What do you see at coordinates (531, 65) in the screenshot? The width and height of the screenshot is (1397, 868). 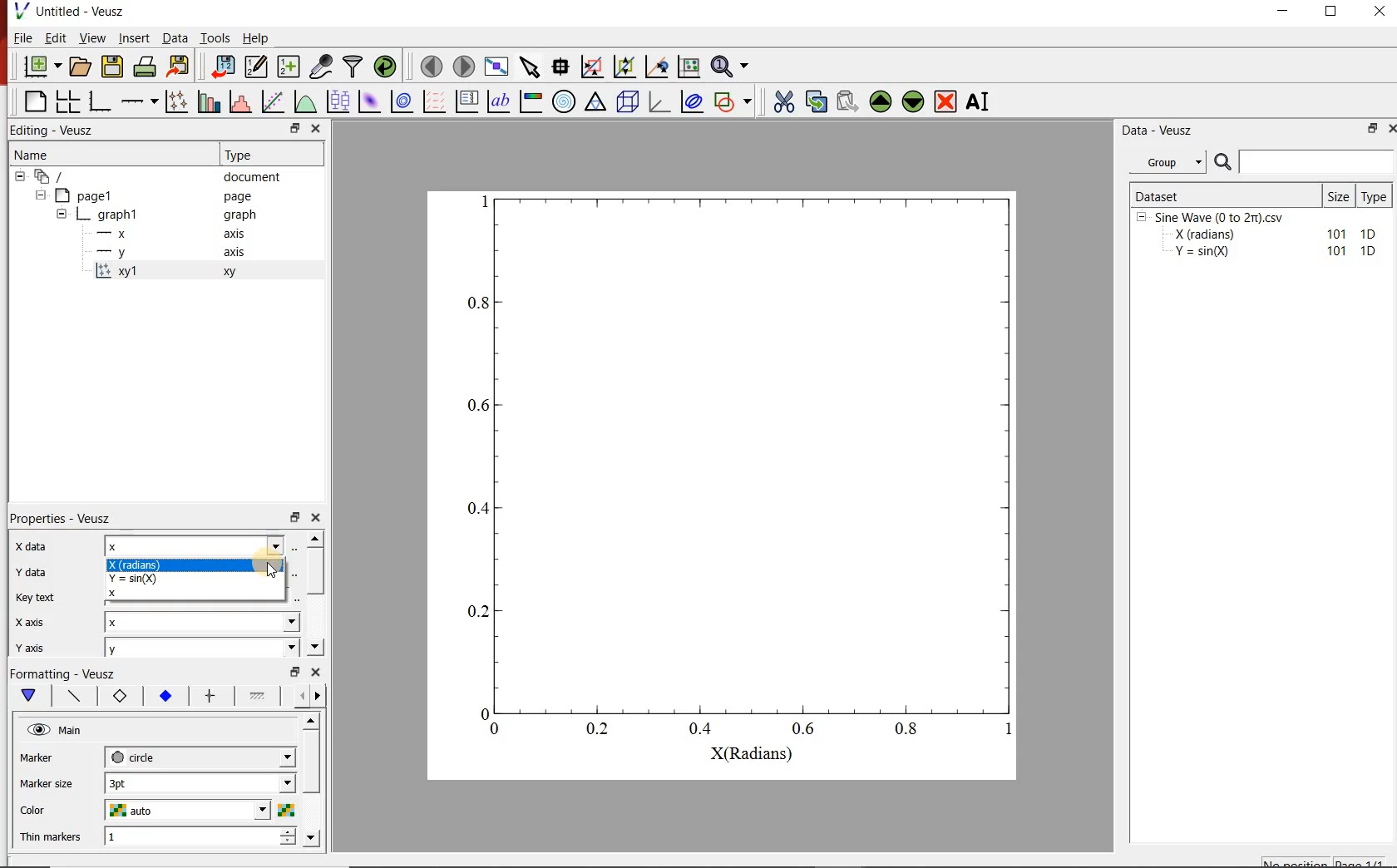 I see `select item from graph` at bounding box center [531, 65].